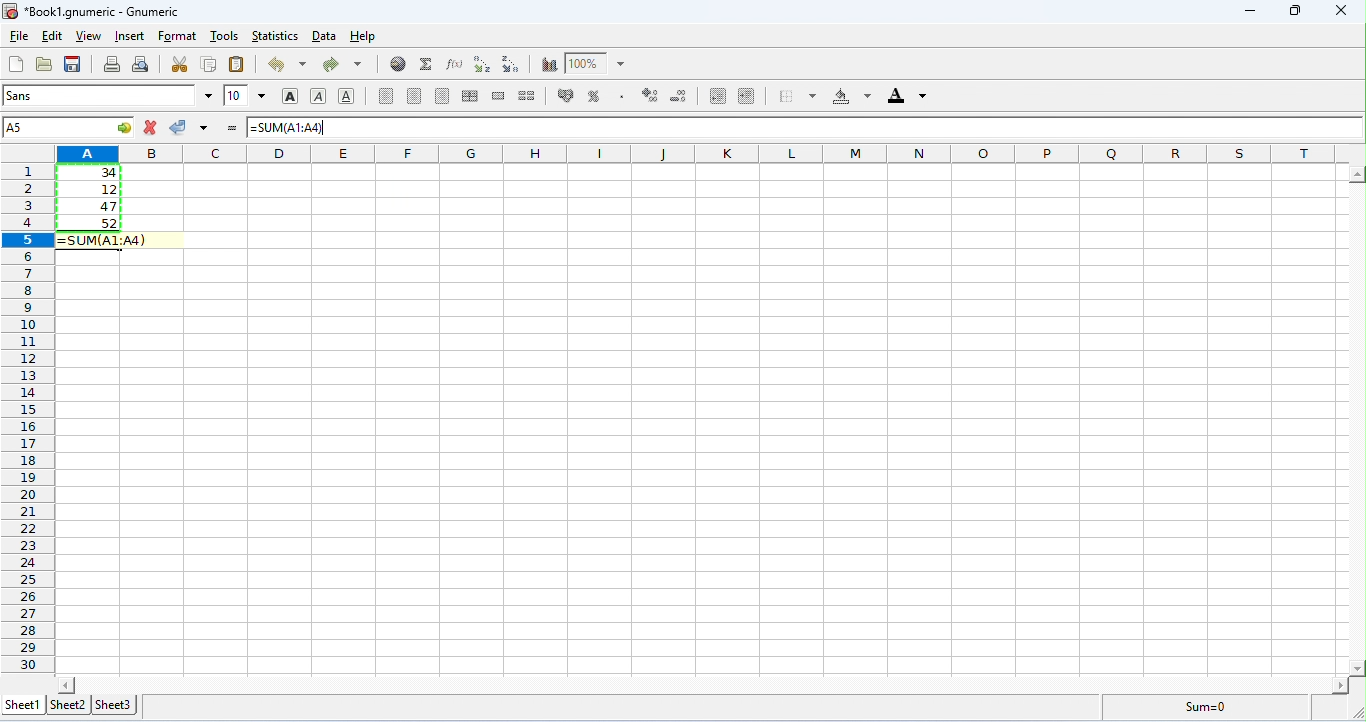 This screenshot has height=722, width=1366. I want to click on space for horizontal scroll bar, so click(705, 683).